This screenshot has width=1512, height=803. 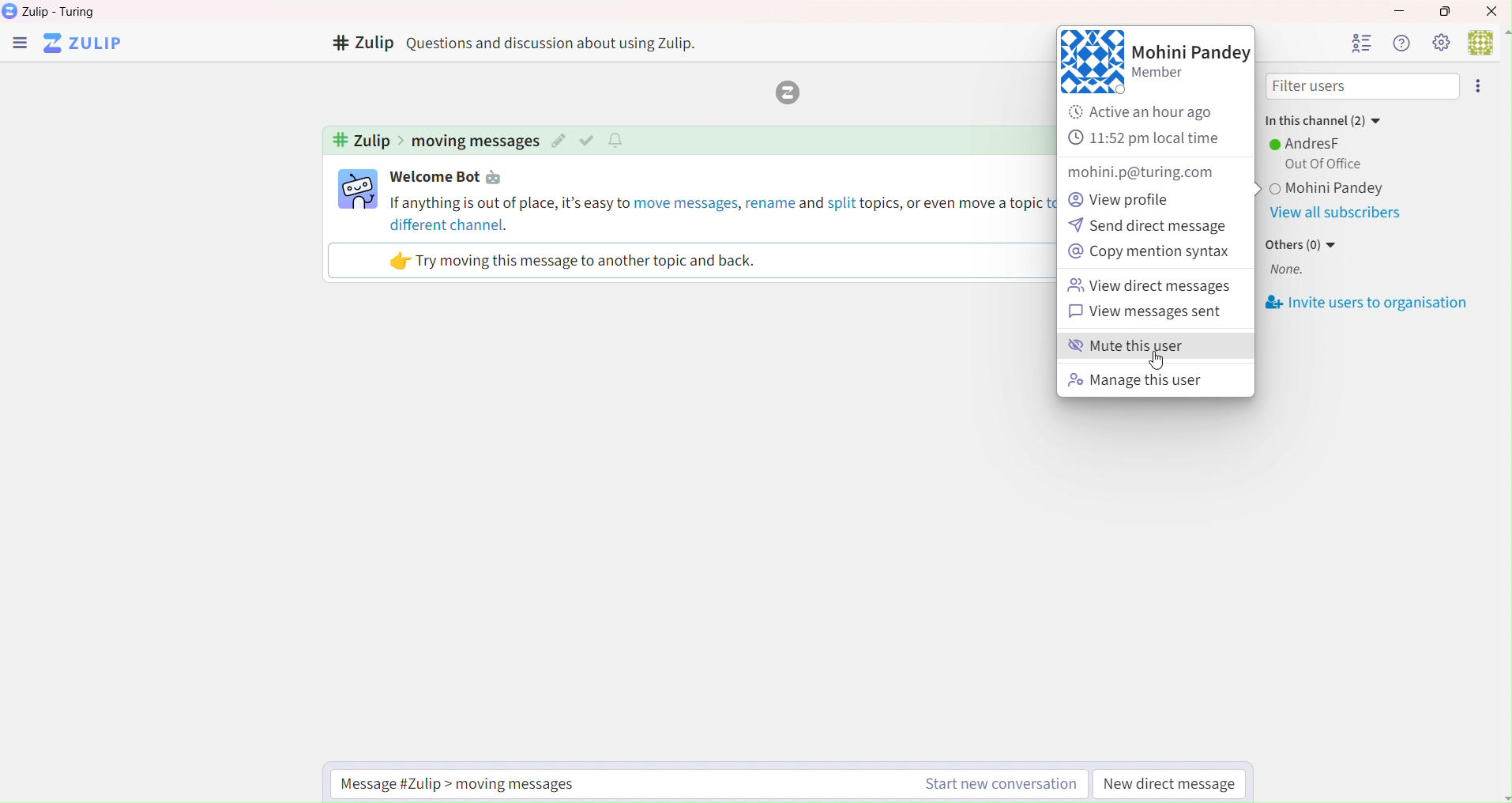 I want to click on Try moving this message to another topic and back., so click(x=574, y=261).